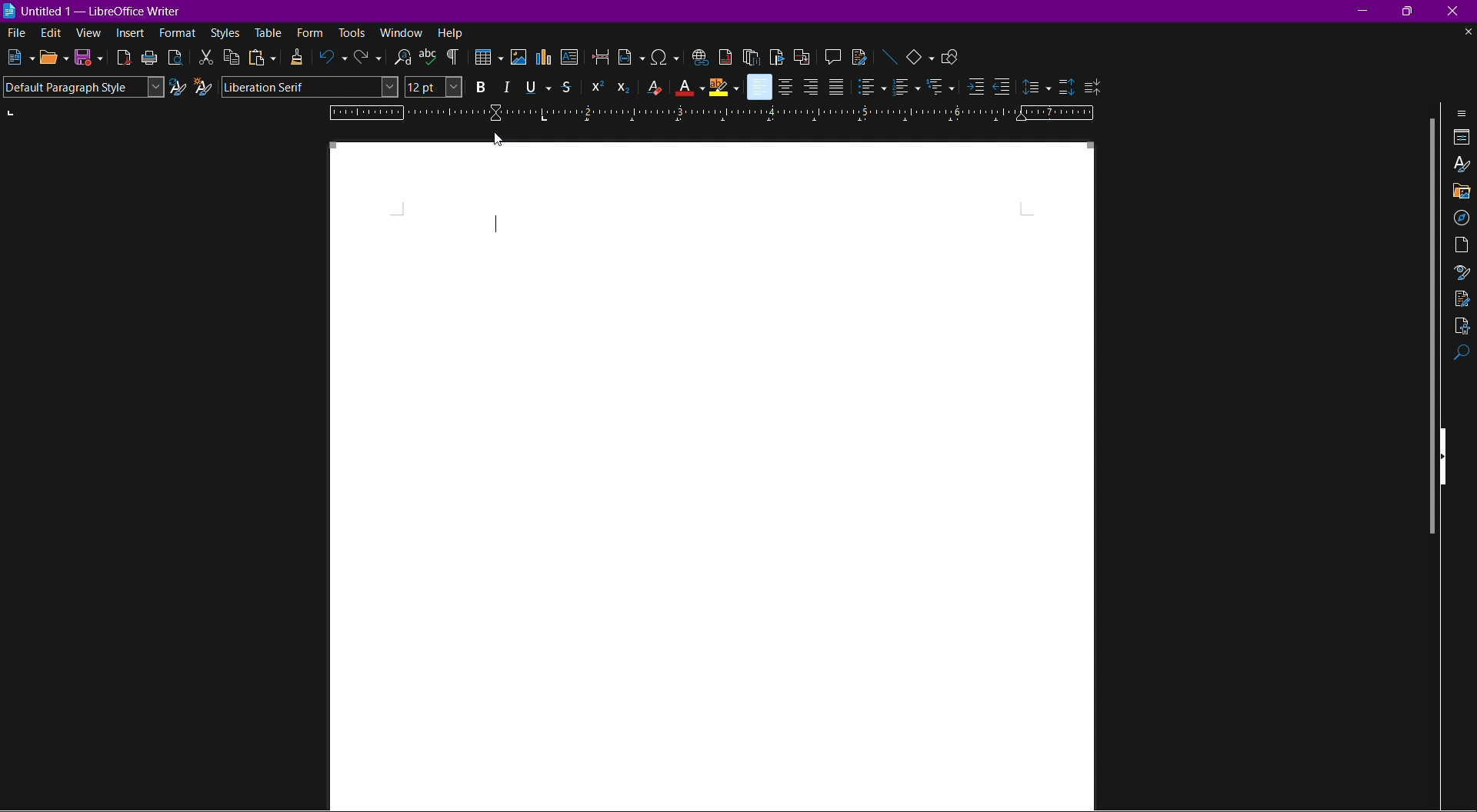 This screenshot has width=1477, height=812. What do you see at coordinates (132, 35) in the screenshot?
I see `insert` at bounding box center [132, 35].